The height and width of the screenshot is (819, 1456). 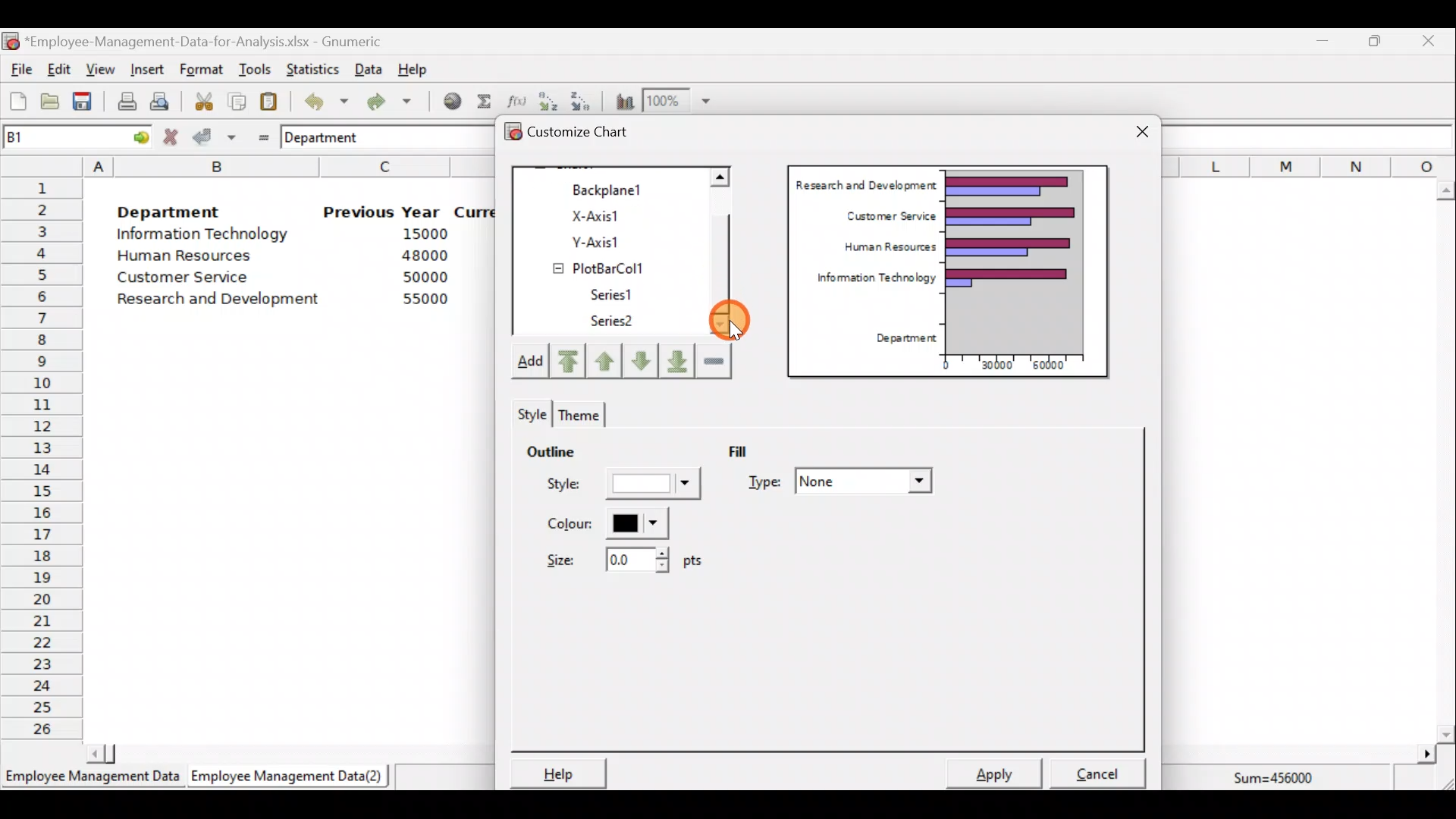 What do you see at coordinates (208, 40) in the screenshot?
I see `‘Employee-Management-Data-for-Analysis.xlsx - Gnumeric` at bounding box center [208, 40].